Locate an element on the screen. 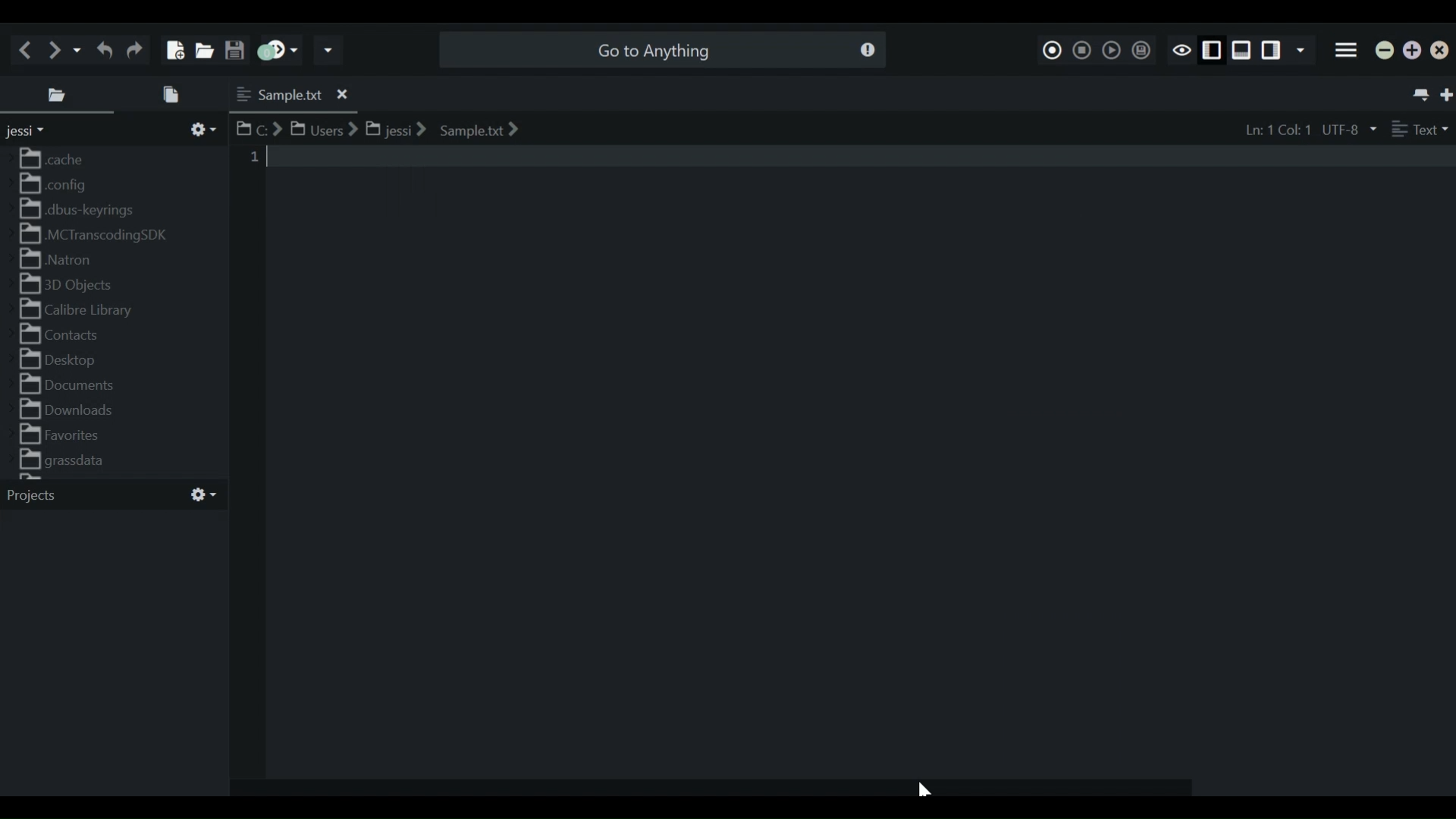 The width and height of the screenshot is (1456, 819). jump to the next syntax checking result is located at coordinates (280, 51).